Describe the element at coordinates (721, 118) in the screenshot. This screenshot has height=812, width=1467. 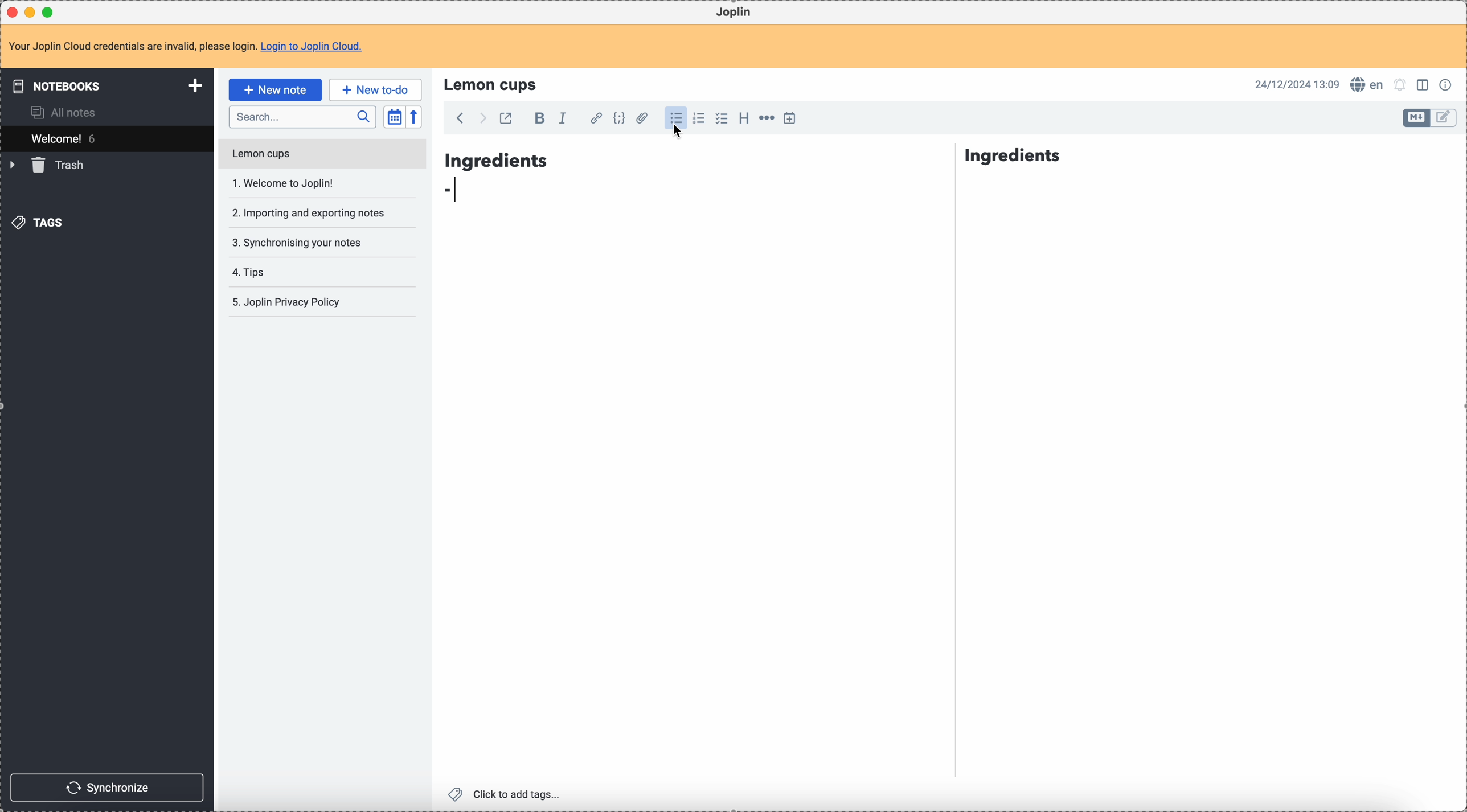
I see `check list` at that location.